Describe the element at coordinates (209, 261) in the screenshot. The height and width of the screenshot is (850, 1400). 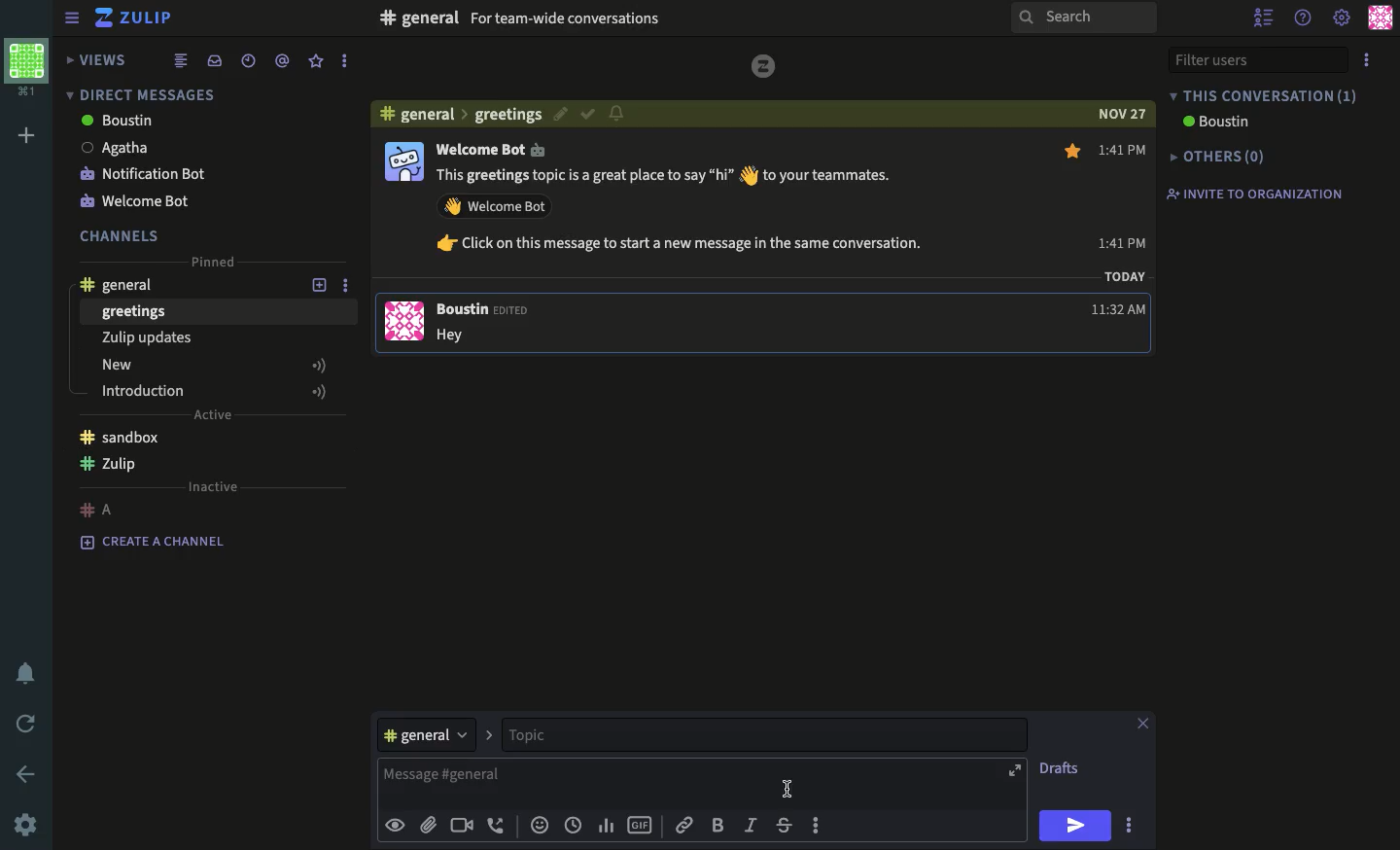
I see `pinned` at that location.